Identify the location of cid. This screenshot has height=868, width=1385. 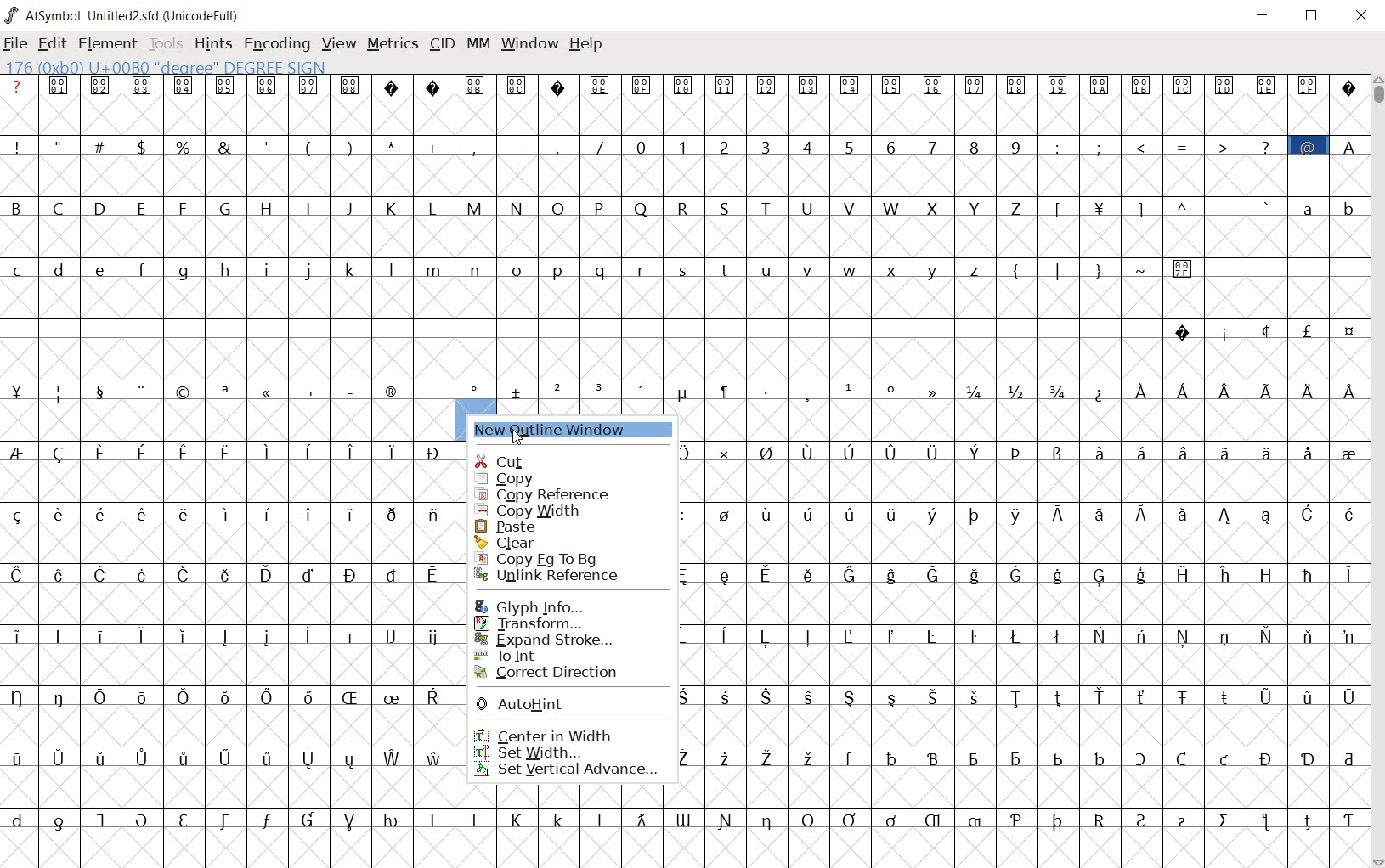
(443, 44).